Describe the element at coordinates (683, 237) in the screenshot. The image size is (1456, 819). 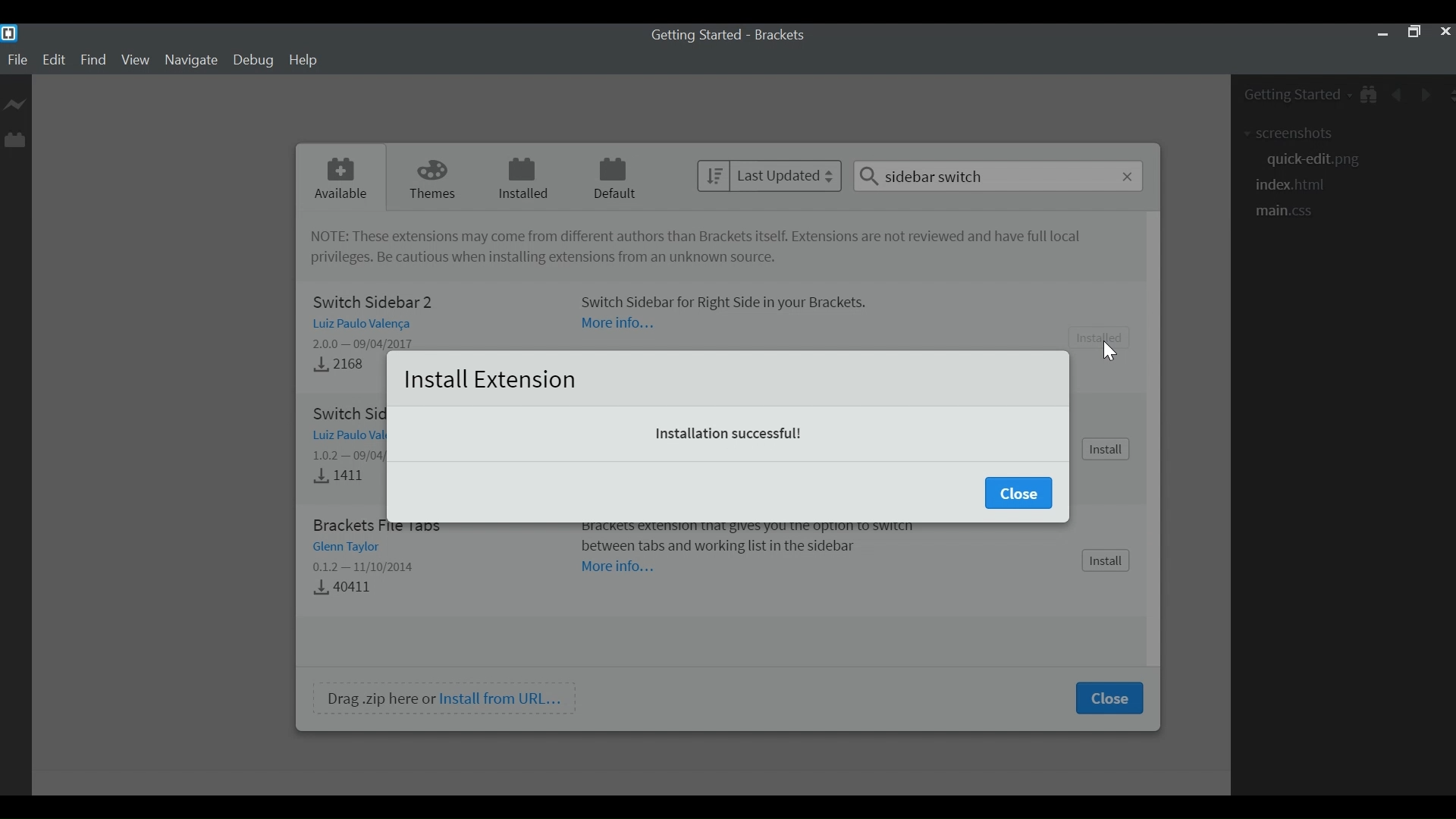
I see `NOTE: These extensions may come from different authors tan Brackets itself. Extensions are not reviewed and have full local privileges` at that location.